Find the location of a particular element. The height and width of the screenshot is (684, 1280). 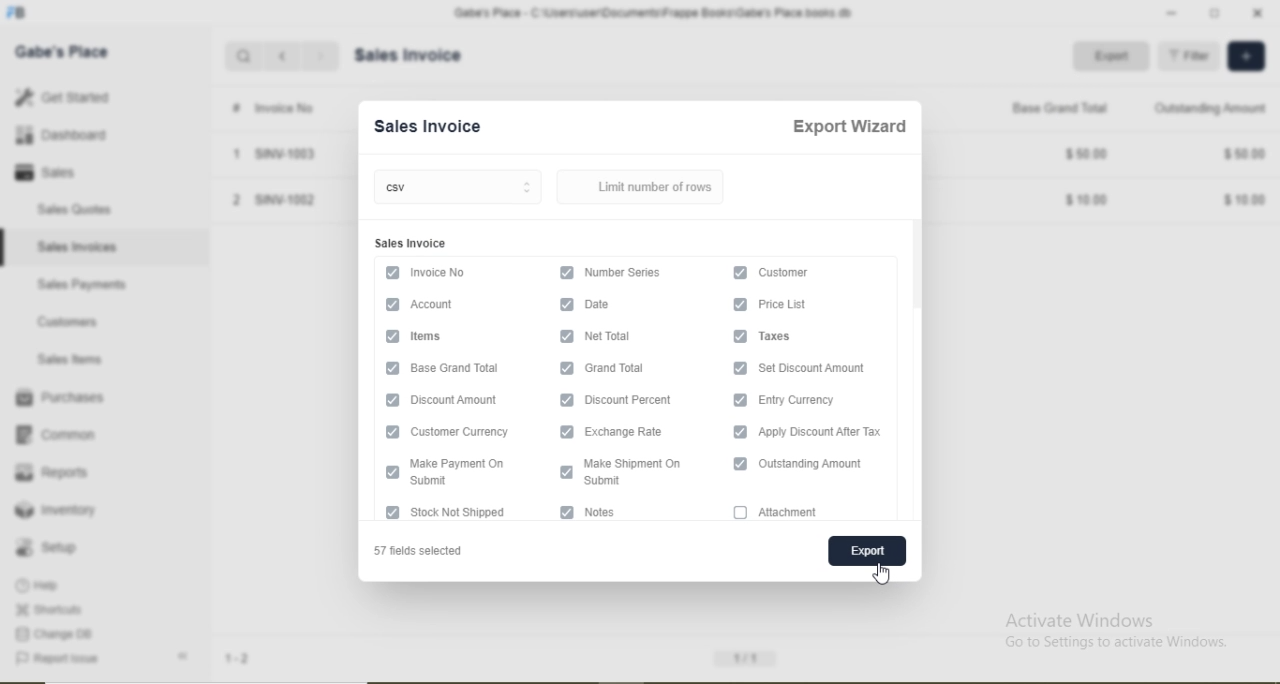

export is located at coordinates (864, 550).